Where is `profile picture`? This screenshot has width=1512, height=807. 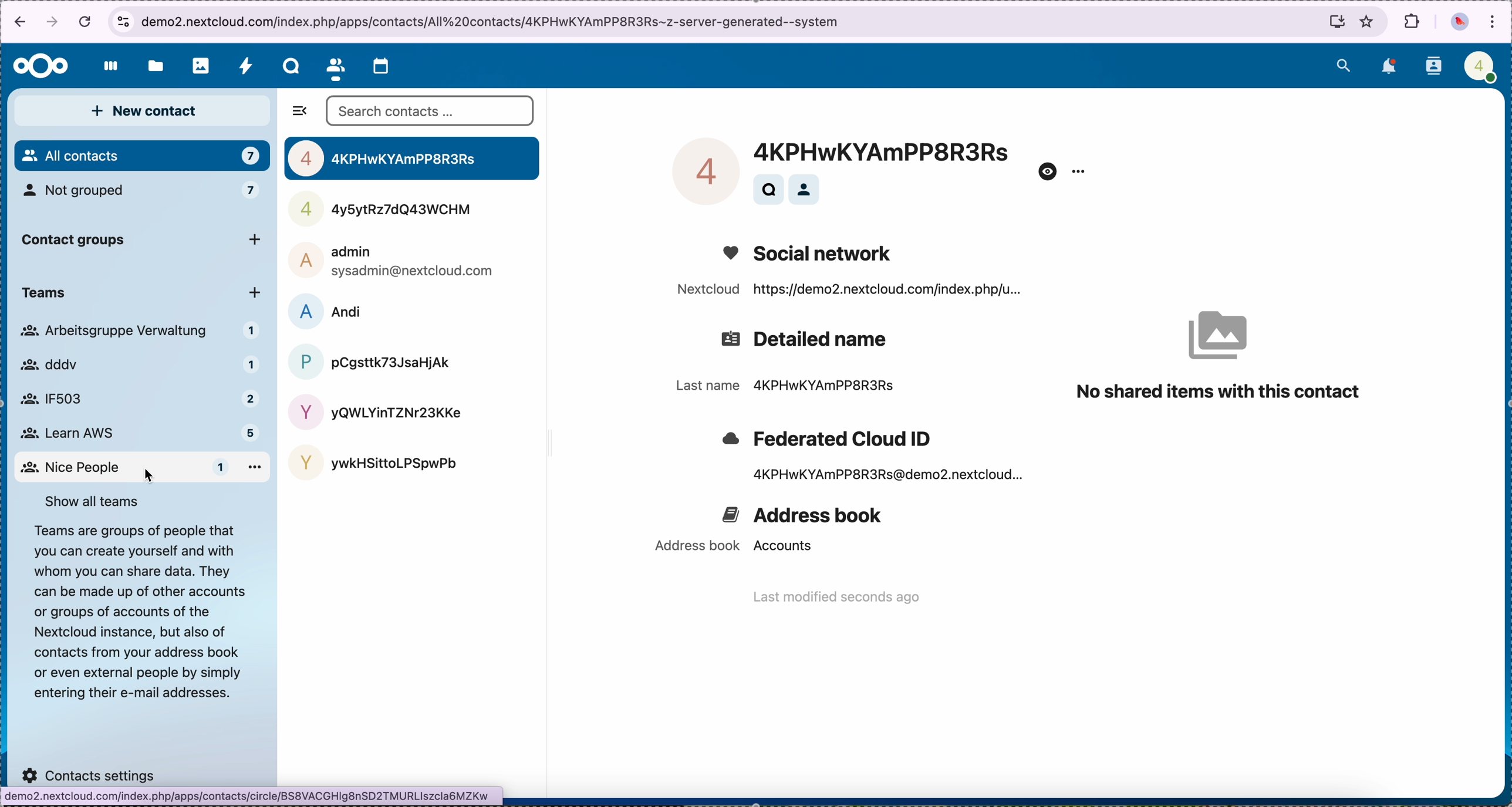 profile picture is located at coordinates (697, 170).